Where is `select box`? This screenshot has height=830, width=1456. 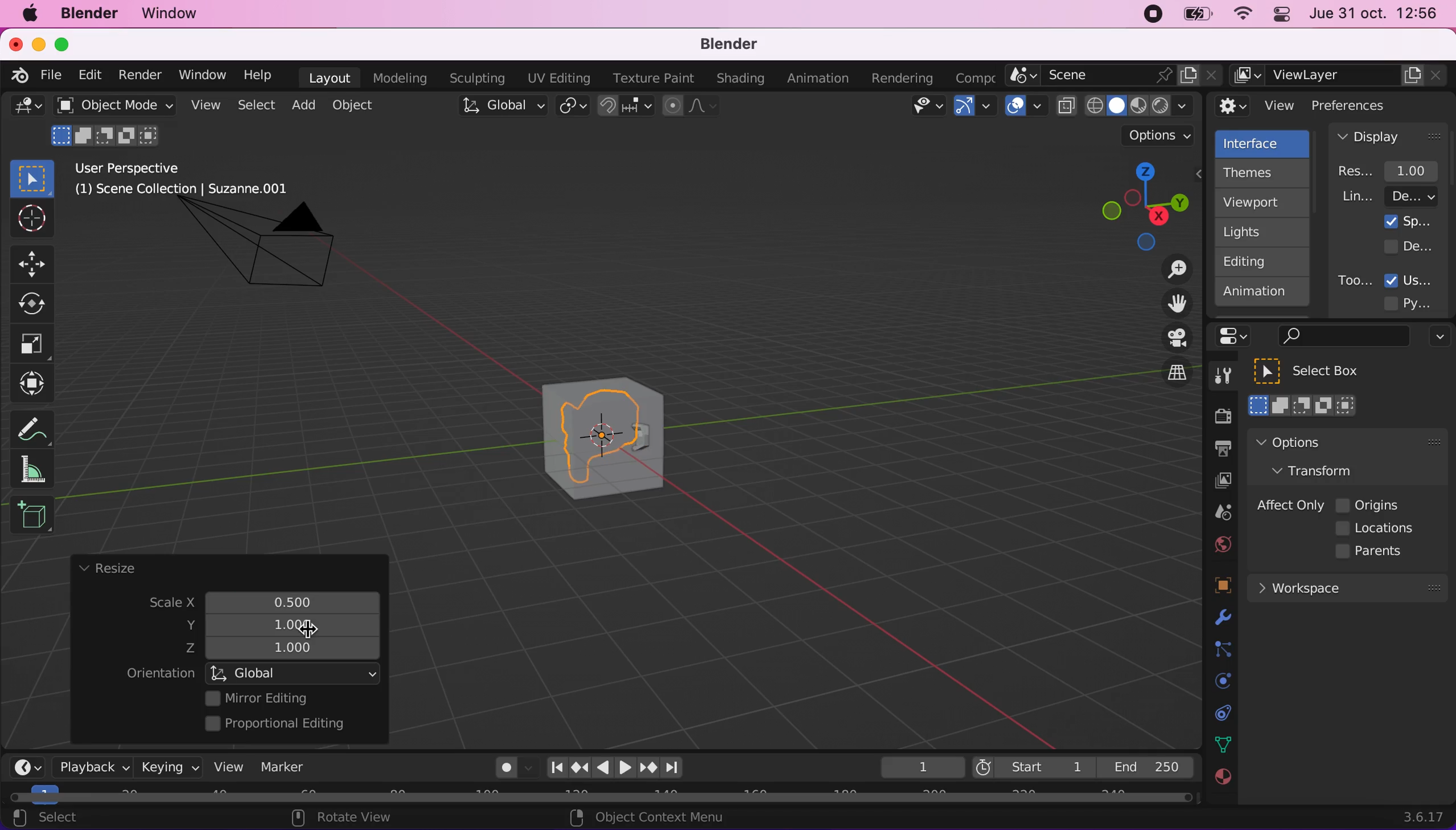 select box is located at coordinates (1321, 371).